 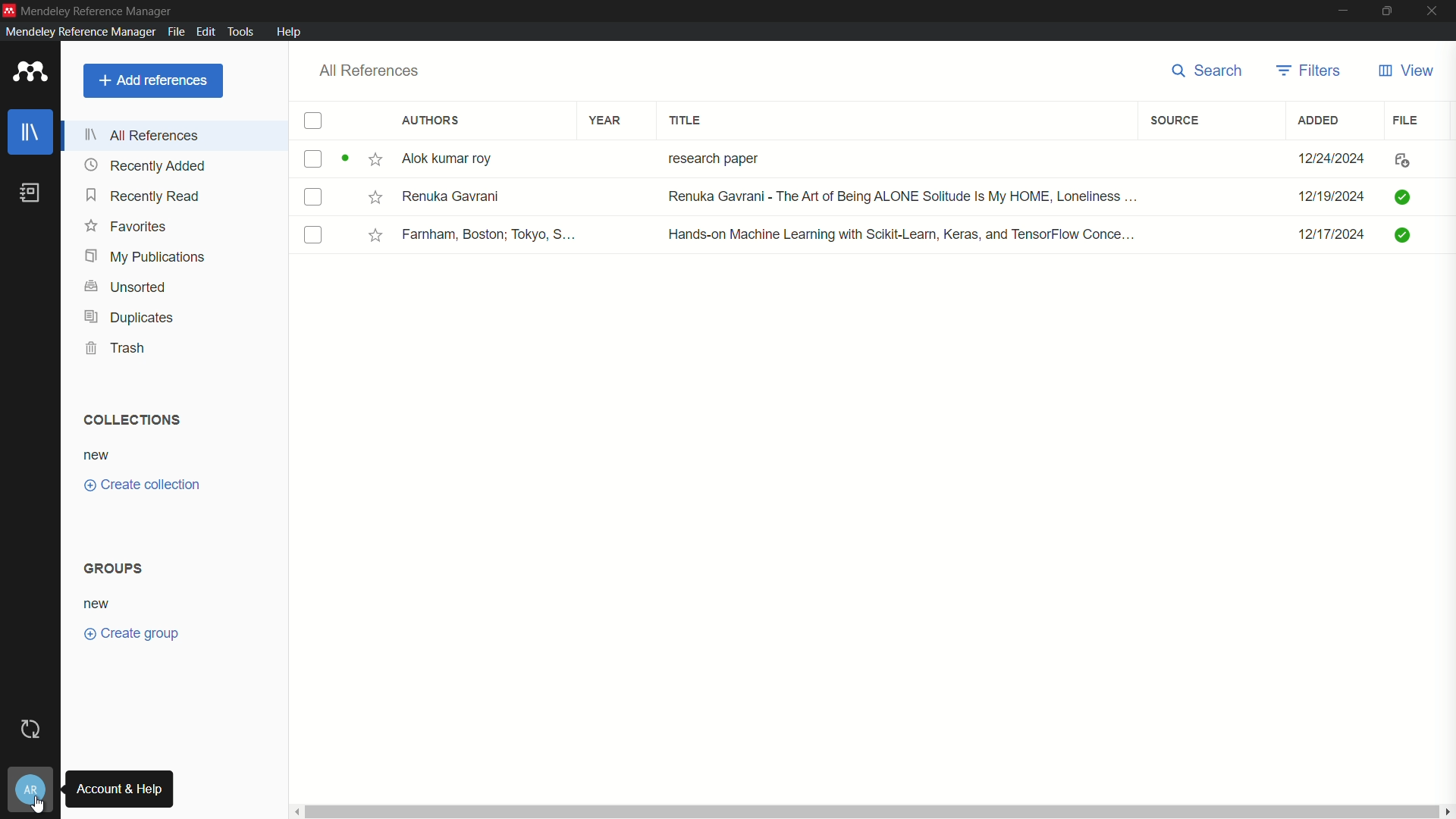 What do you see at coordinates (371, 160) in the screenshot?
I see `favourite` at bounding box center [371, 160].